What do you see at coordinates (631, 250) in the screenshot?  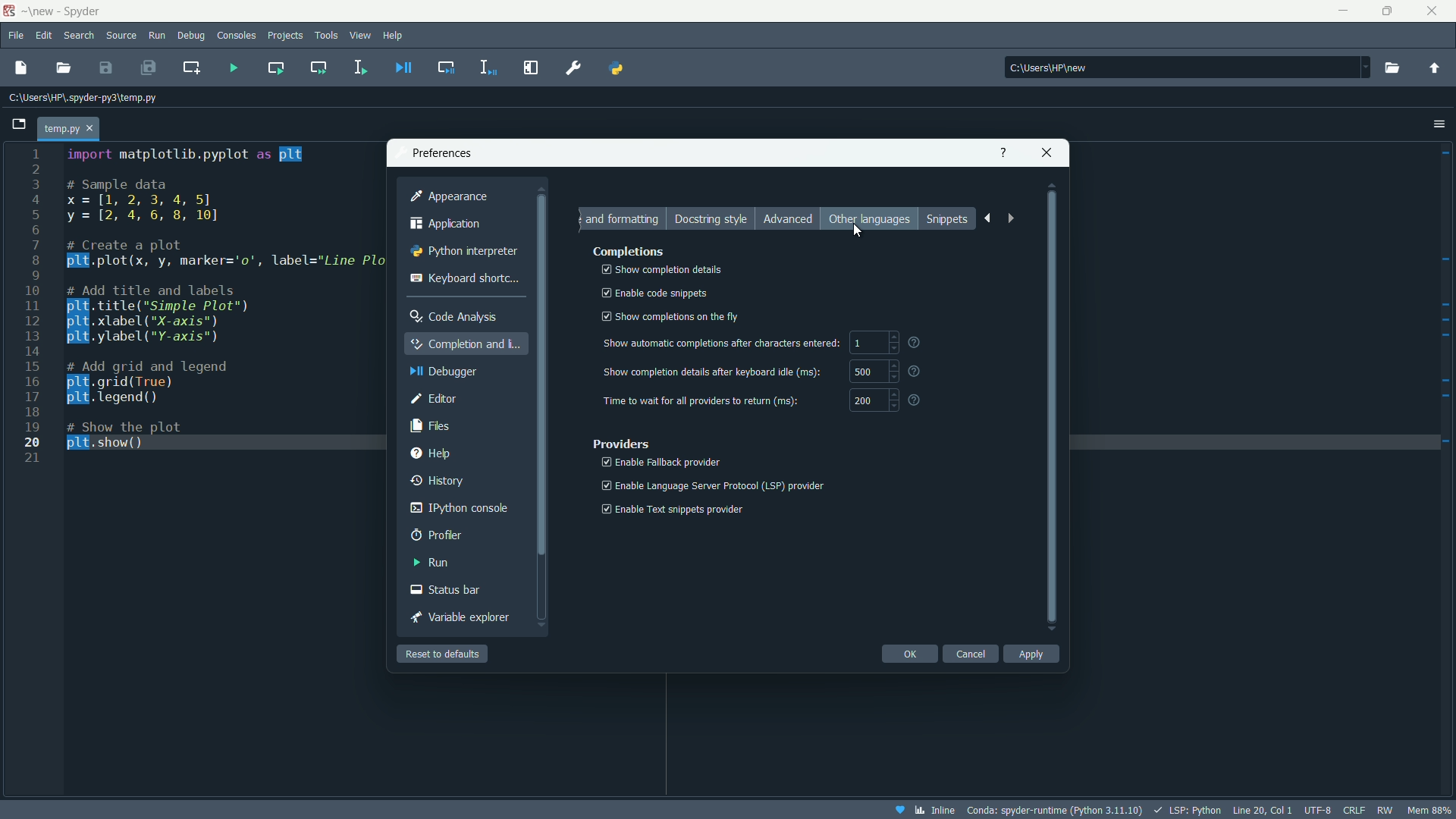 I see `completions` at bounding box center [631, 250].